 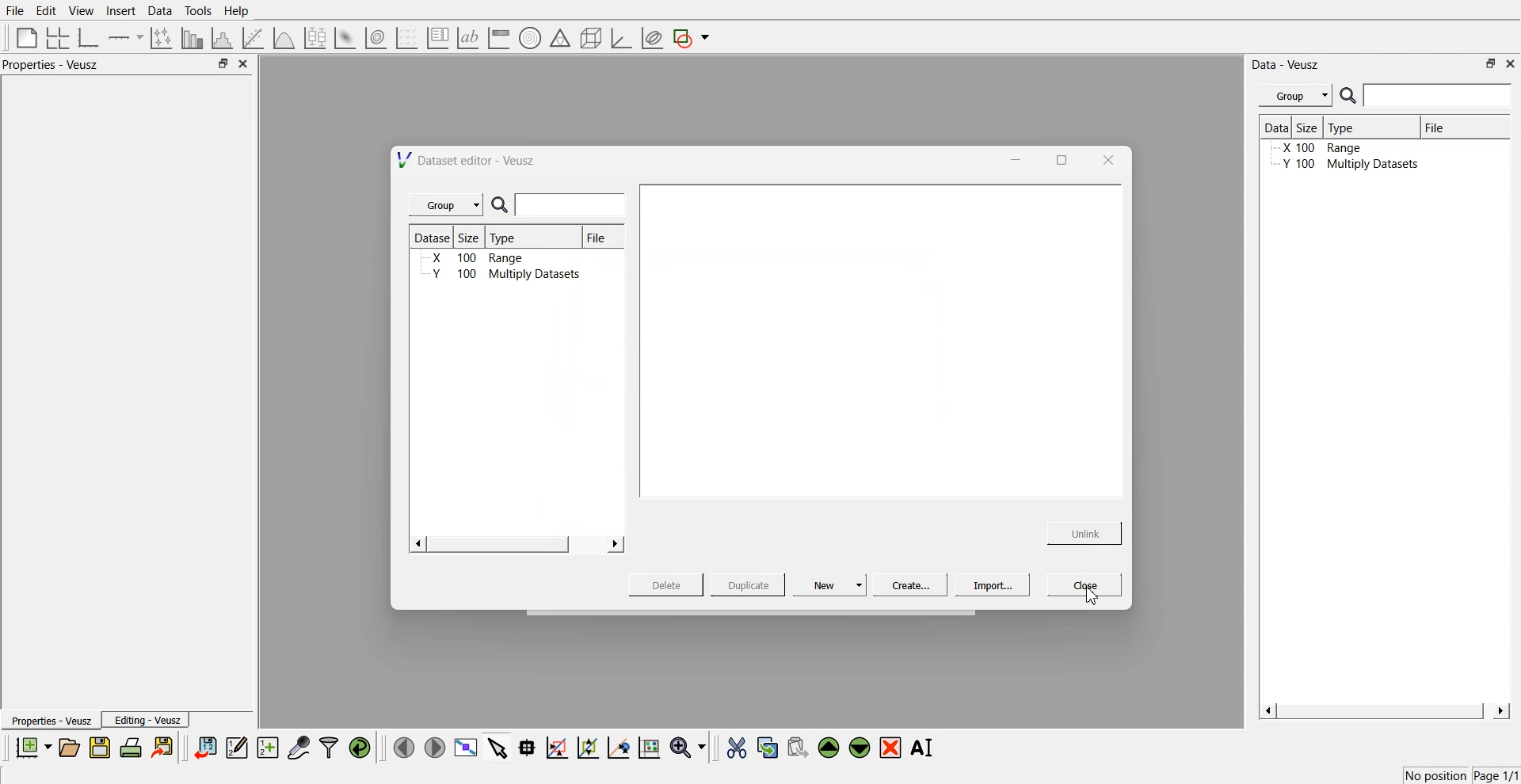 What do you see at coordinates (434, 746) in the screenshot?
I see `move right` at bounding box center [434, 746].